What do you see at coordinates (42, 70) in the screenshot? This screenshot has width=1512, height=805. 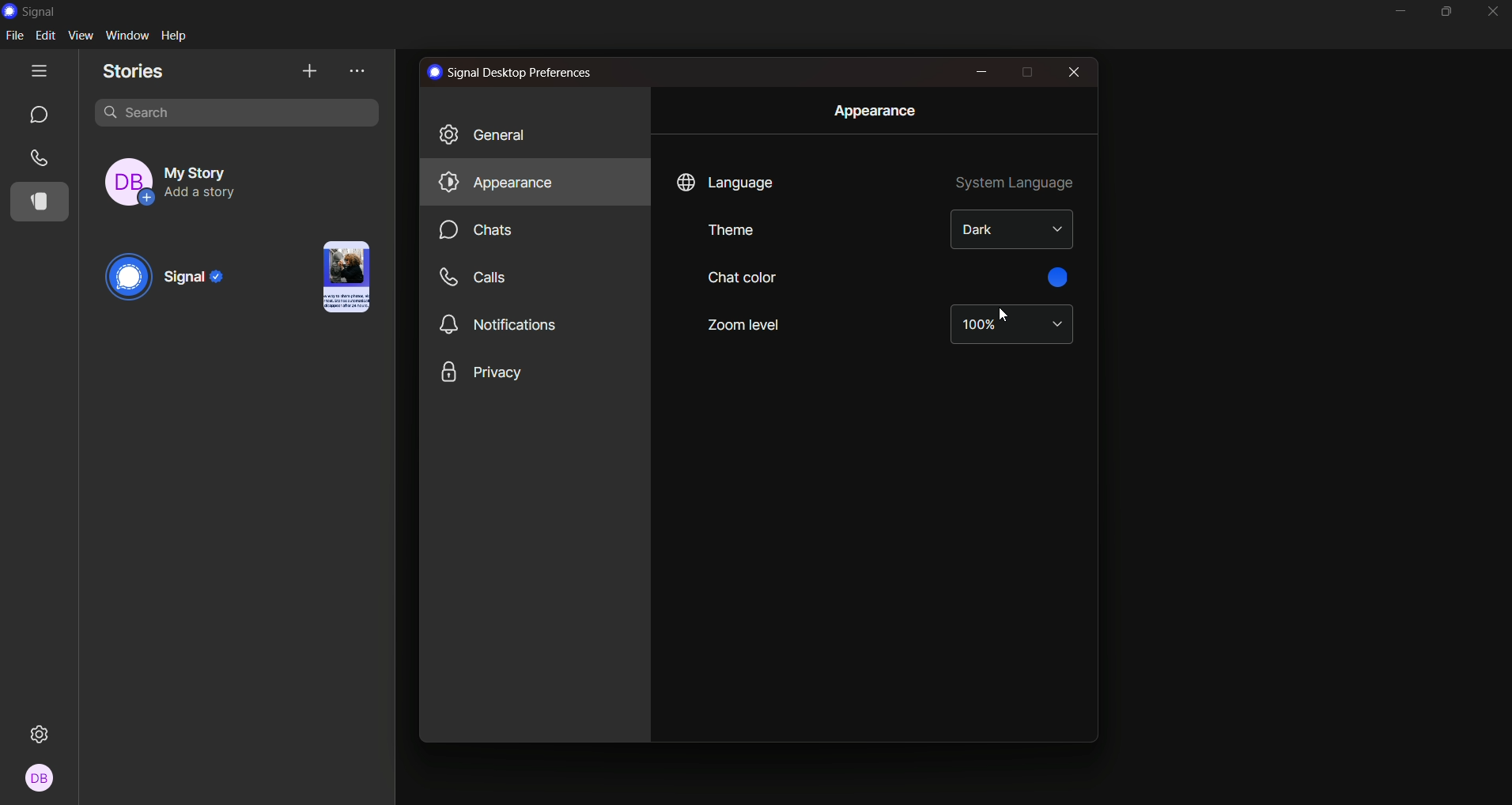 I see `hide tabs` at bounding box center [42, 70].